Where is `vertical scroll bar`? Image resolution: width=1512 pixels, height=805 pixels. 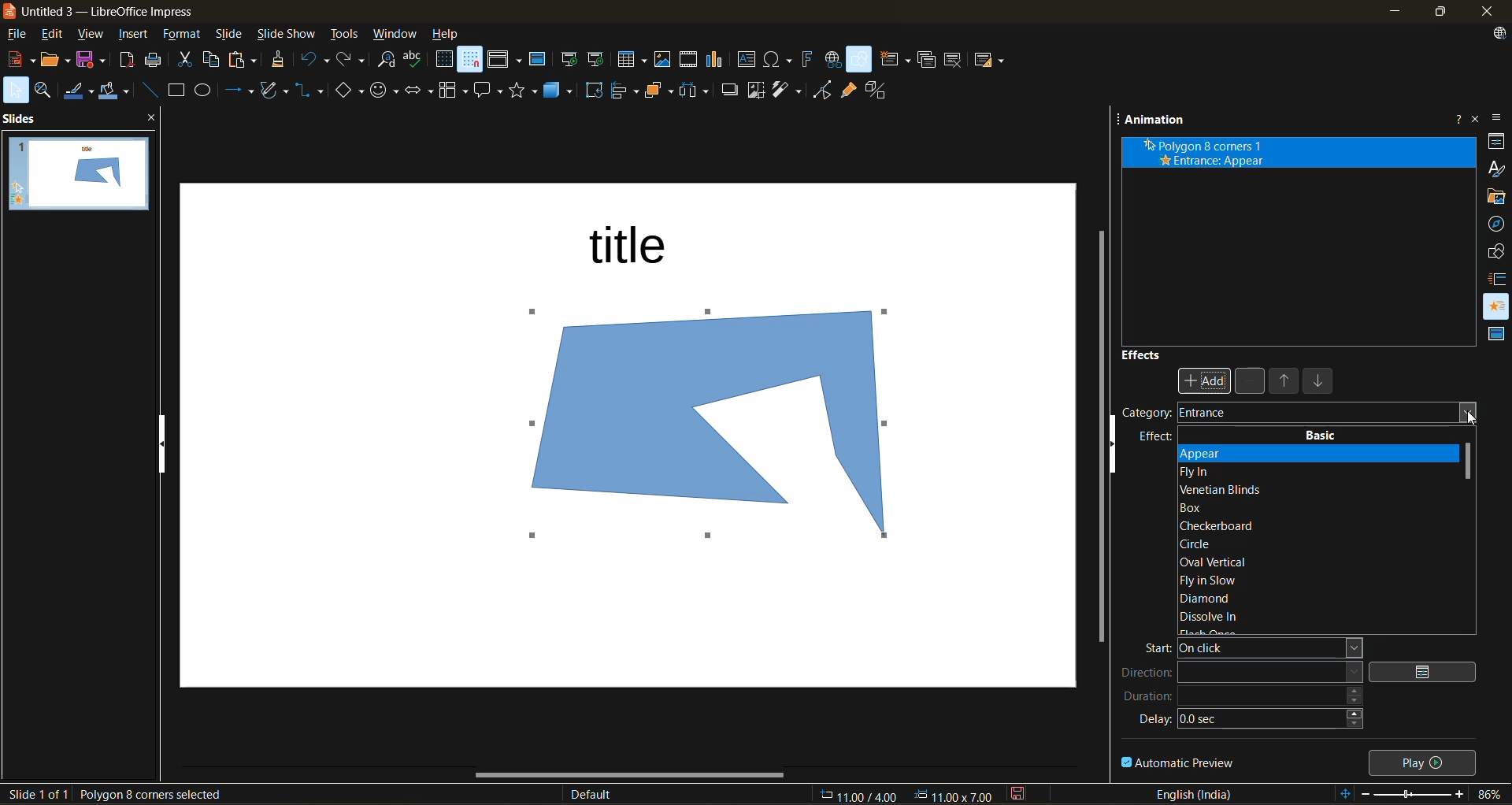
vertical scroll bar is located at coordinates (1470, 459).